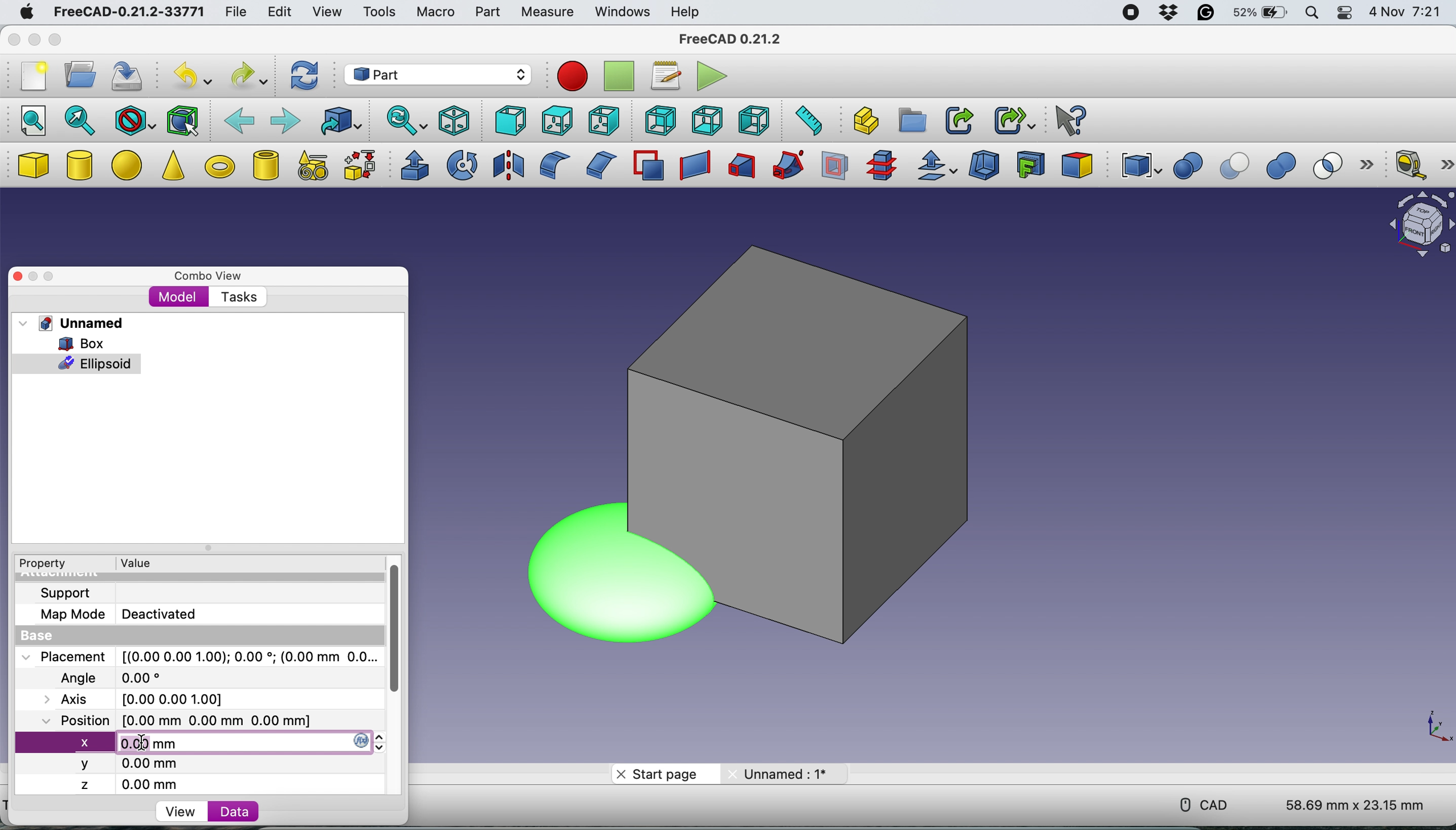  Describe the element at coordinates (236, 13) in the screenshot. I see `file` at that location.